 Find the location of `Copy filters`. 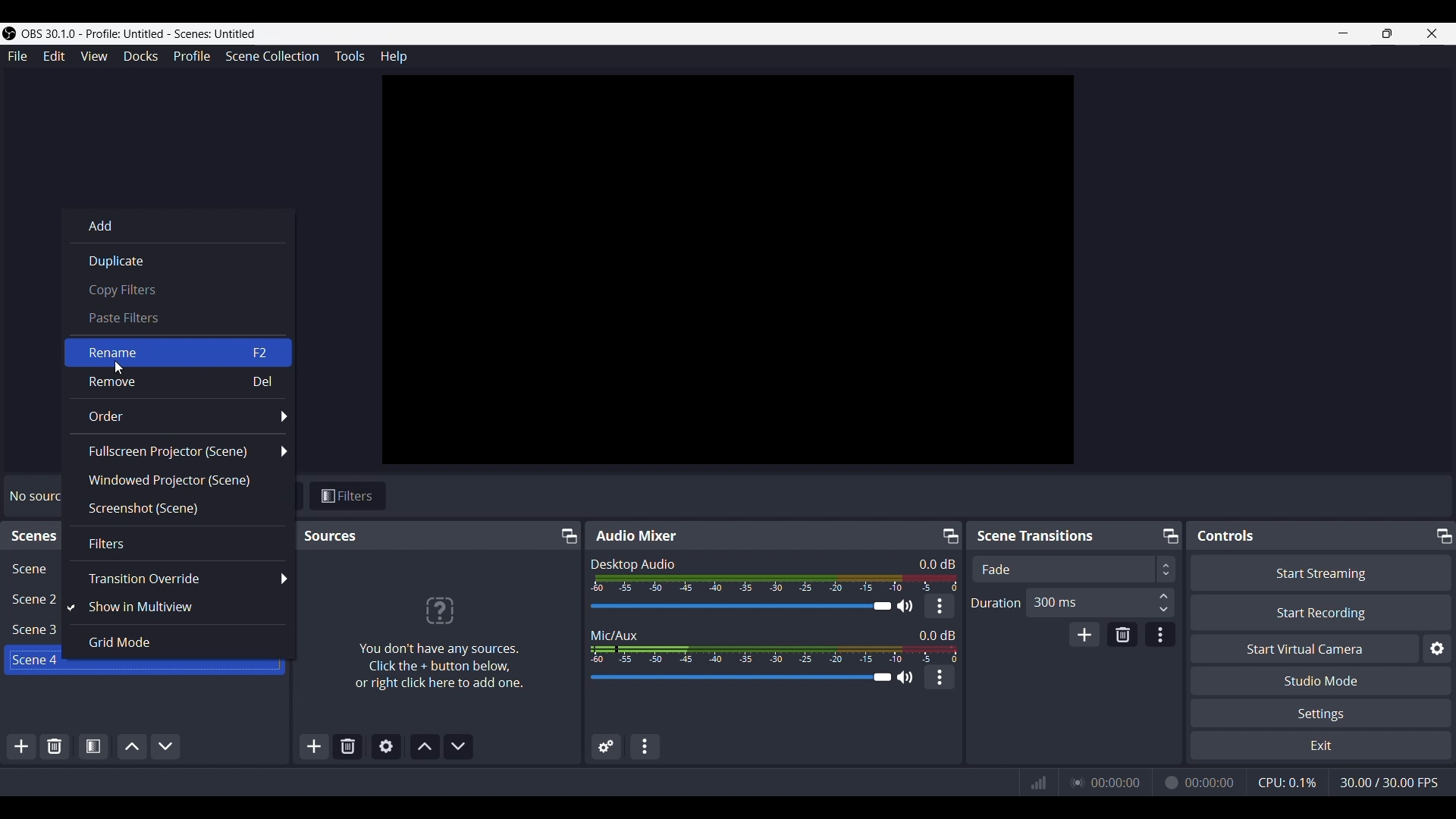

Copy filters is located at coordinates (123, 290).